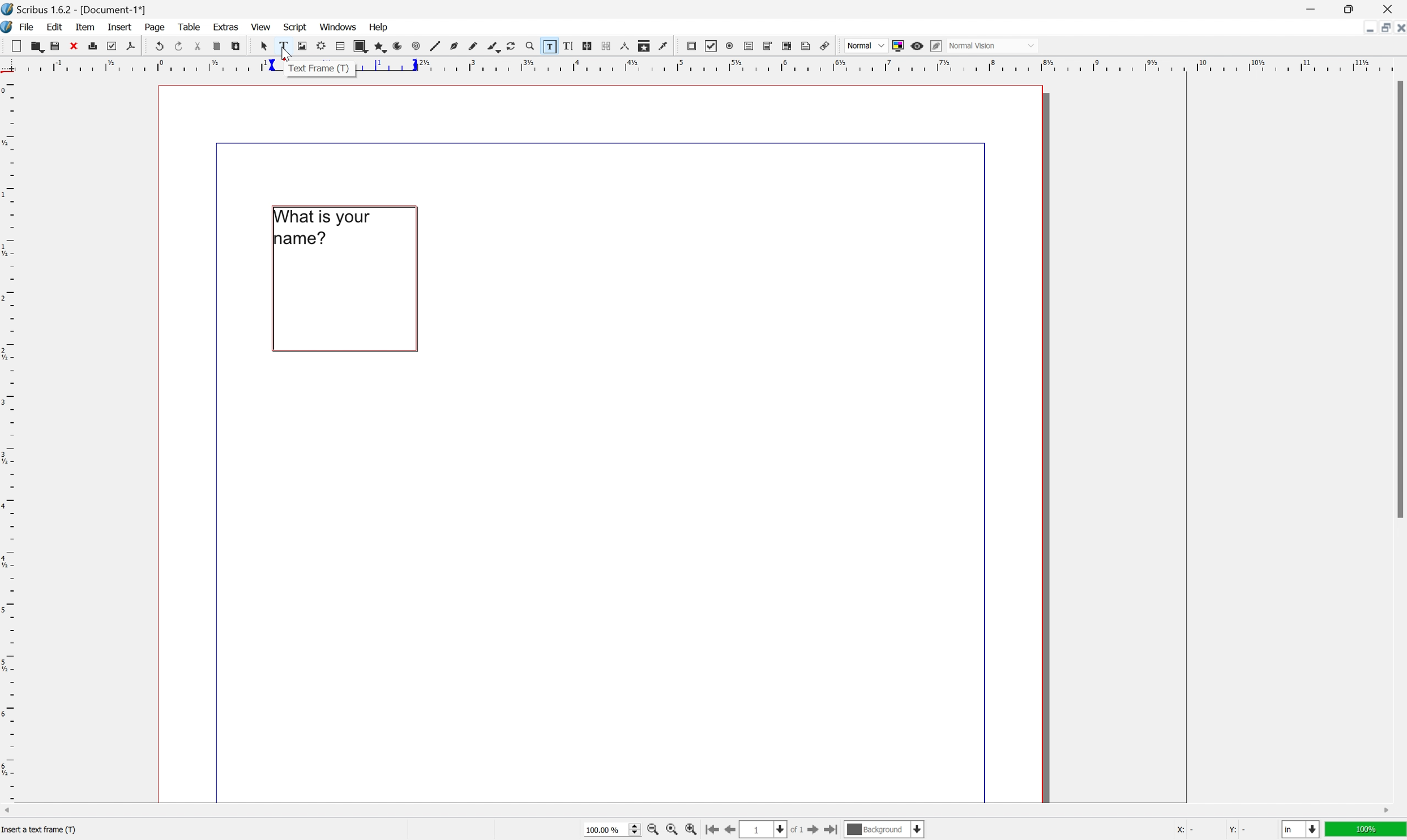 The image size is (1407, 840). Describe the element at coordinates (236, 46) in the screenshot. I see `paste` at that location.